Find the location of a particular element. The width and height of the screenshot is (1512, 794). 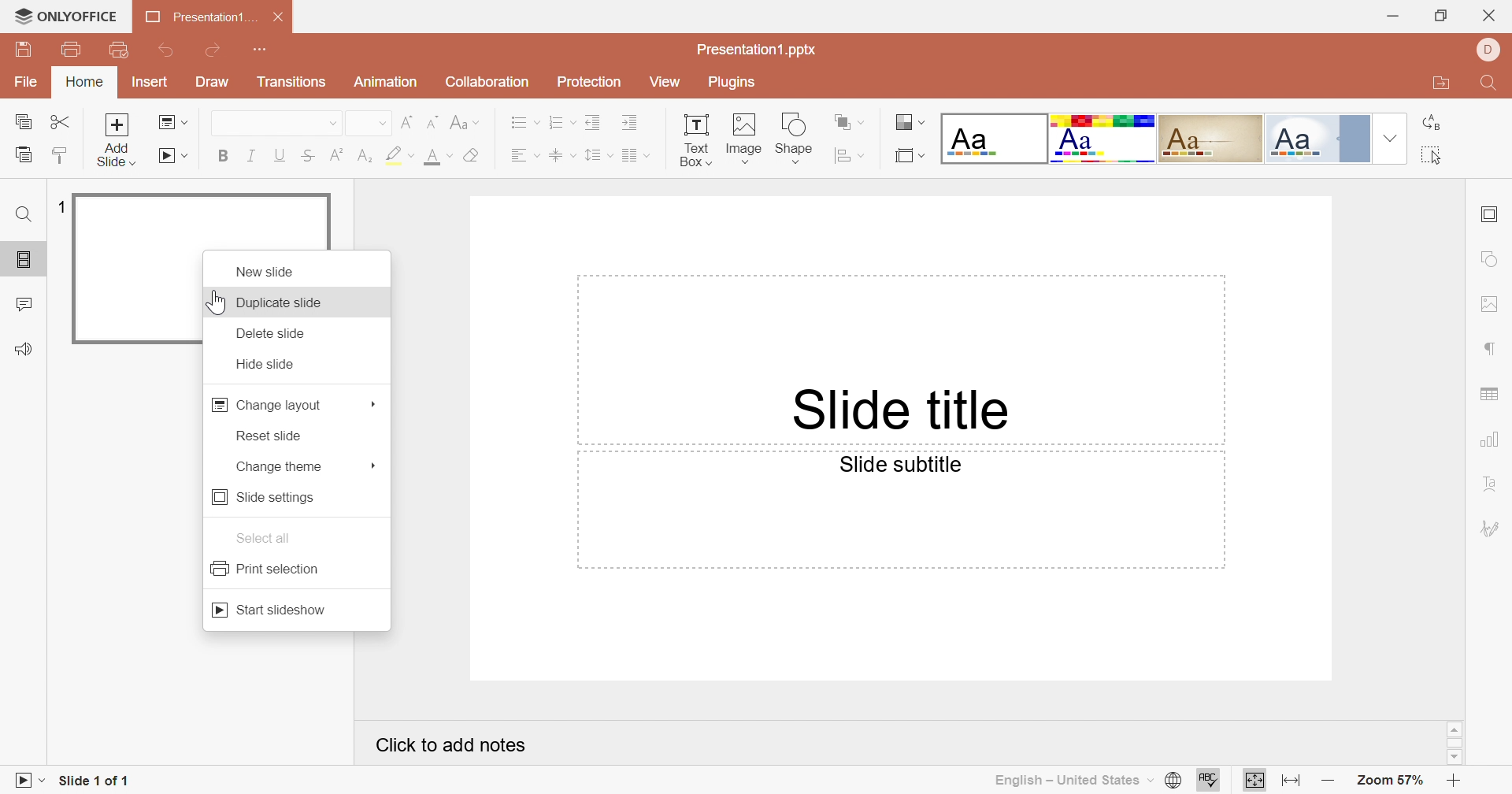

Find is located at coordinates (21, 212).